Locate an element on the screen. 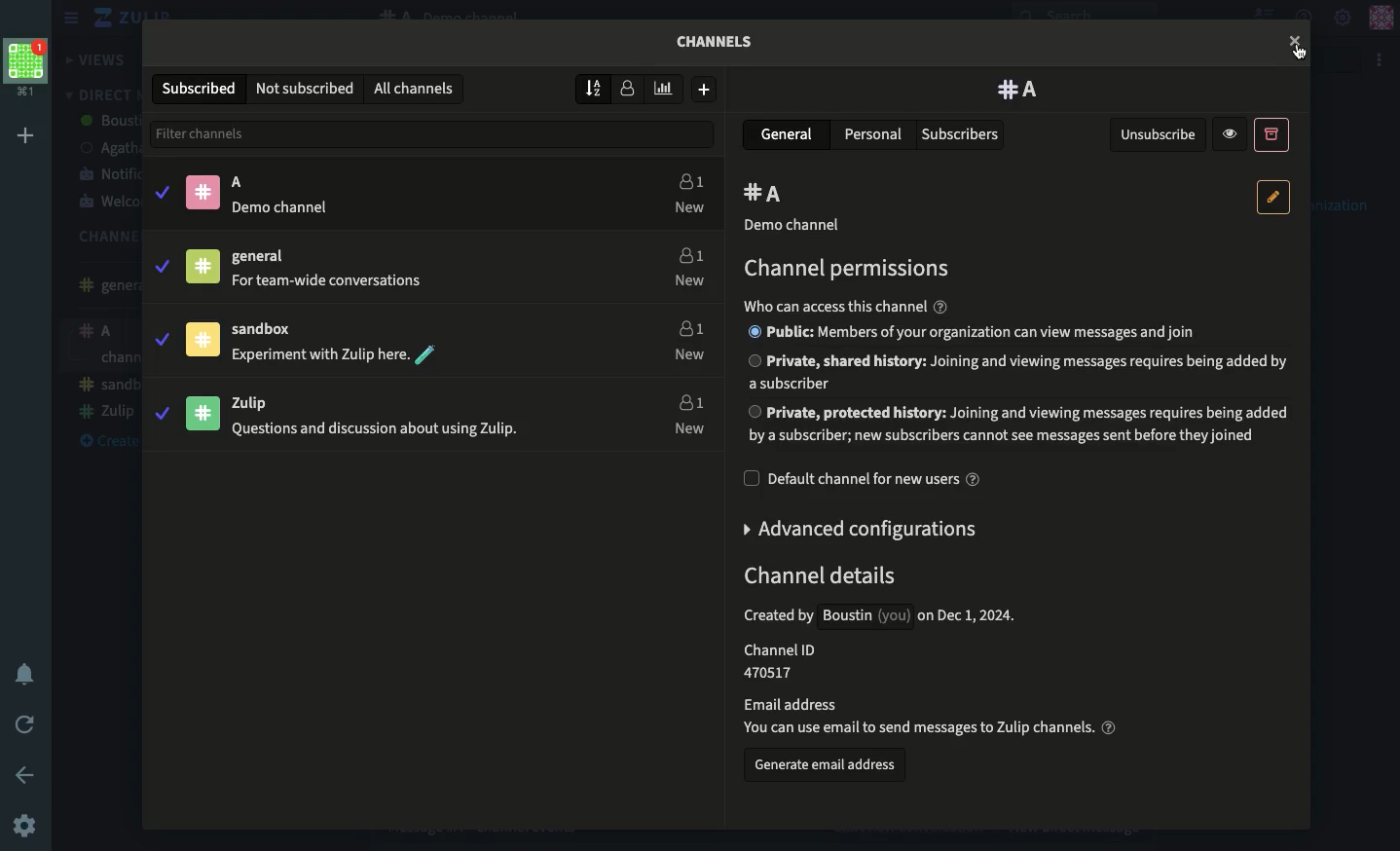 This screenshot has height=851, width=1400. A is located at coordinates (102, 333).